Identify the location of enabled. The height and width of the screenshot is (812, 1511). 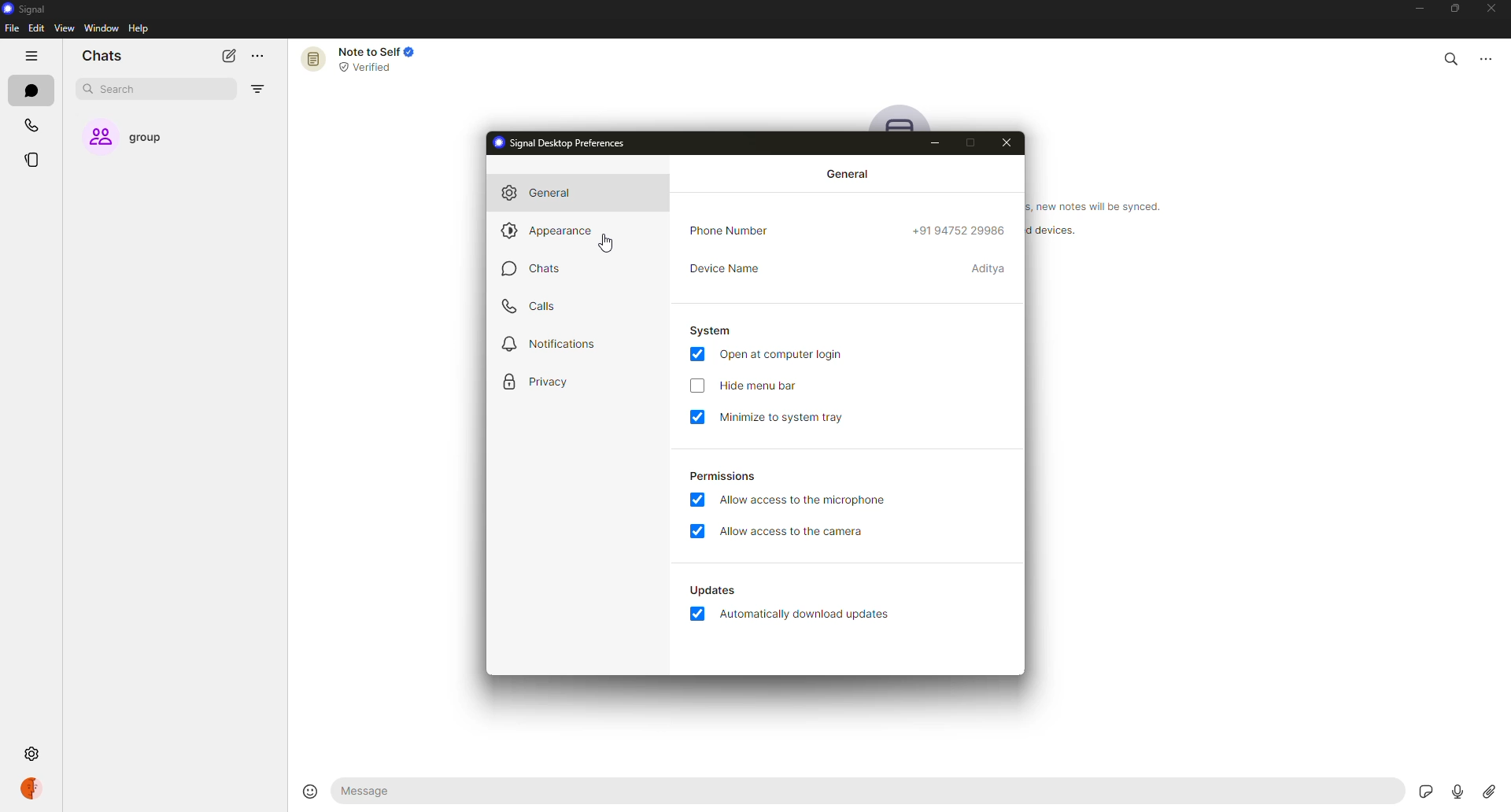
(696, 531).